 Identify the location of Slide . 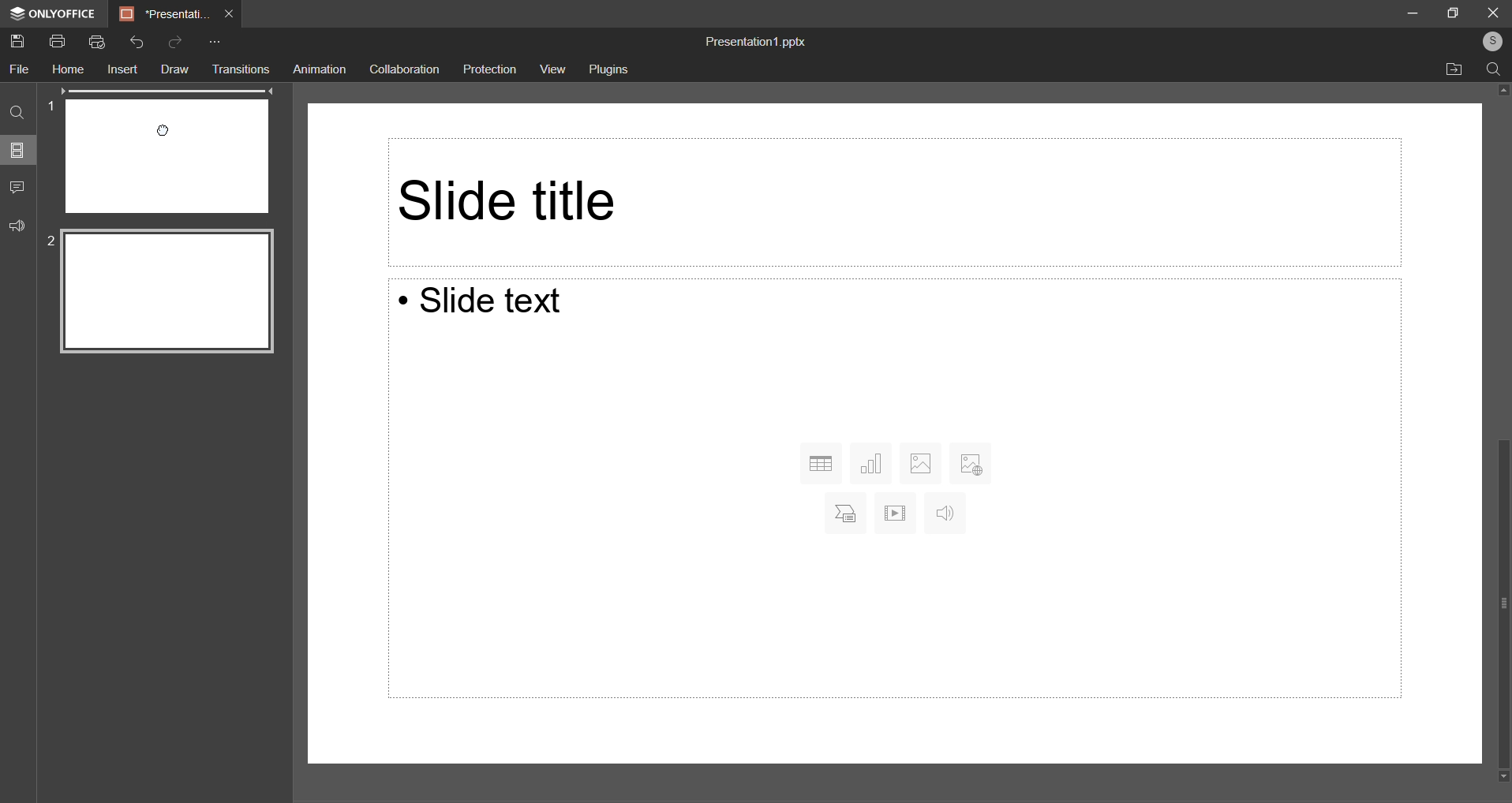
(167, 155).